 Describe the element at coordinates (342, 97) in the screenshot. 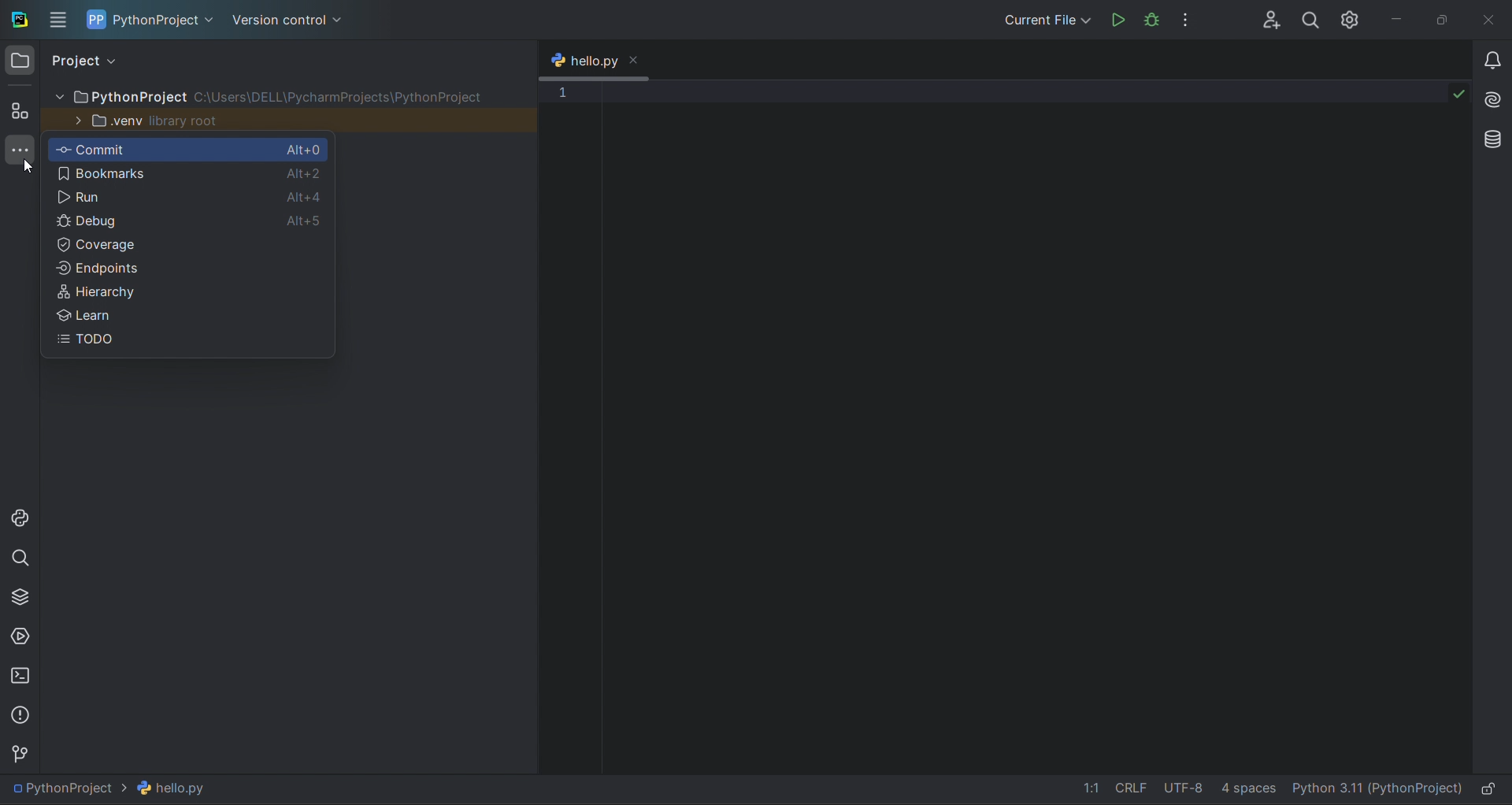

I see `C:\Users\DELL\PycharmProjects\PythonProject` at that location.